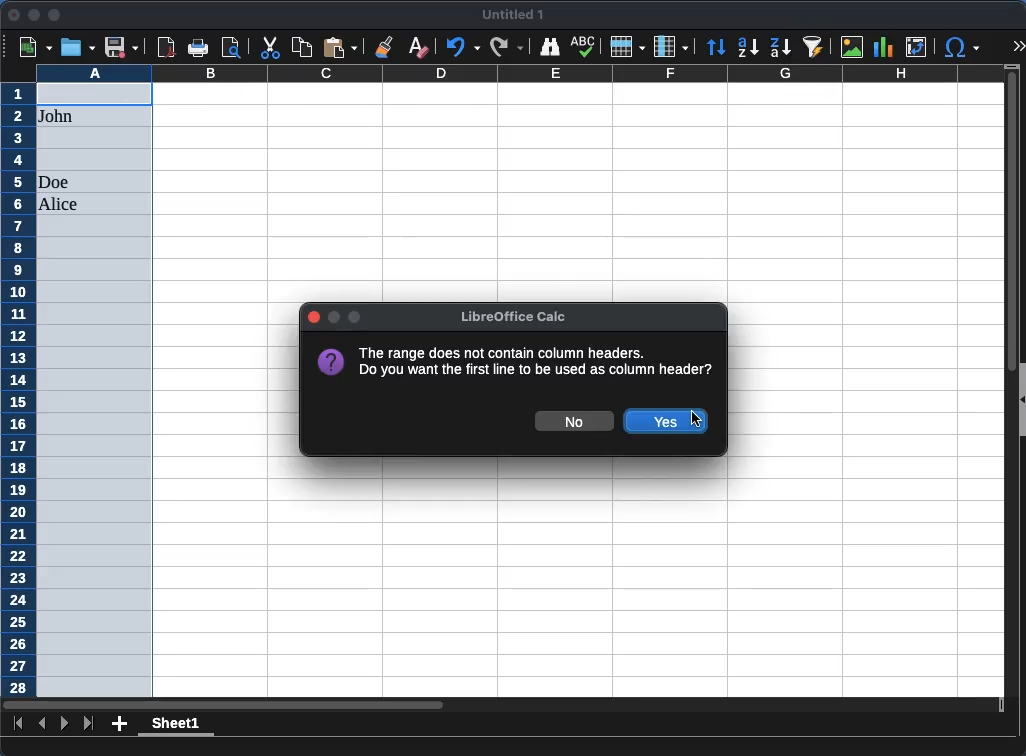 The image size is (1026, 756). What do you see at coordinates (95, 389) in the screenshot?
I see `selected range` at bounding box center [95, 389].